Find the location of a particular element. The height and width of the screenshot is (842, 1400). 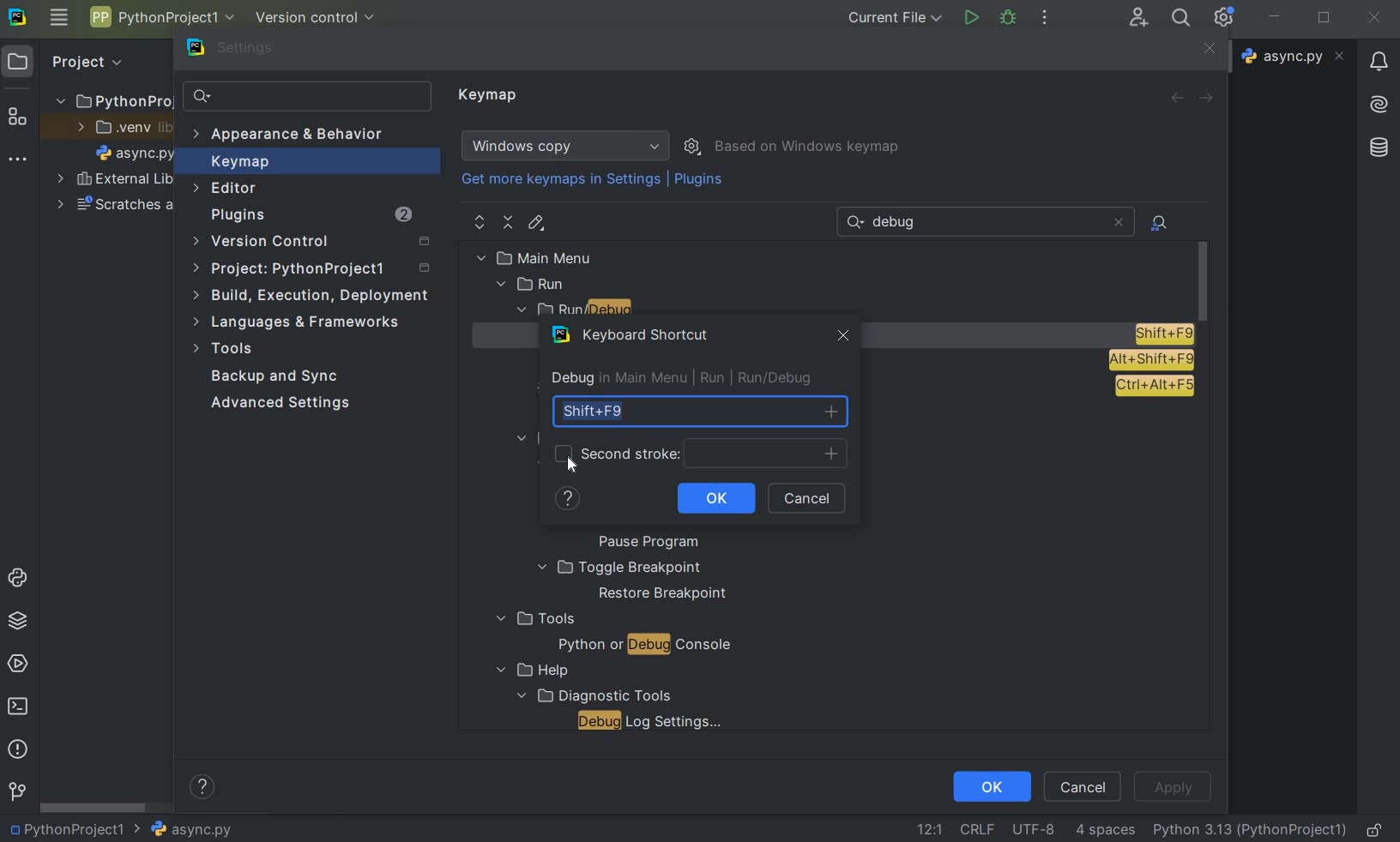

ide and project settings is located at coordinates (1225, 17).